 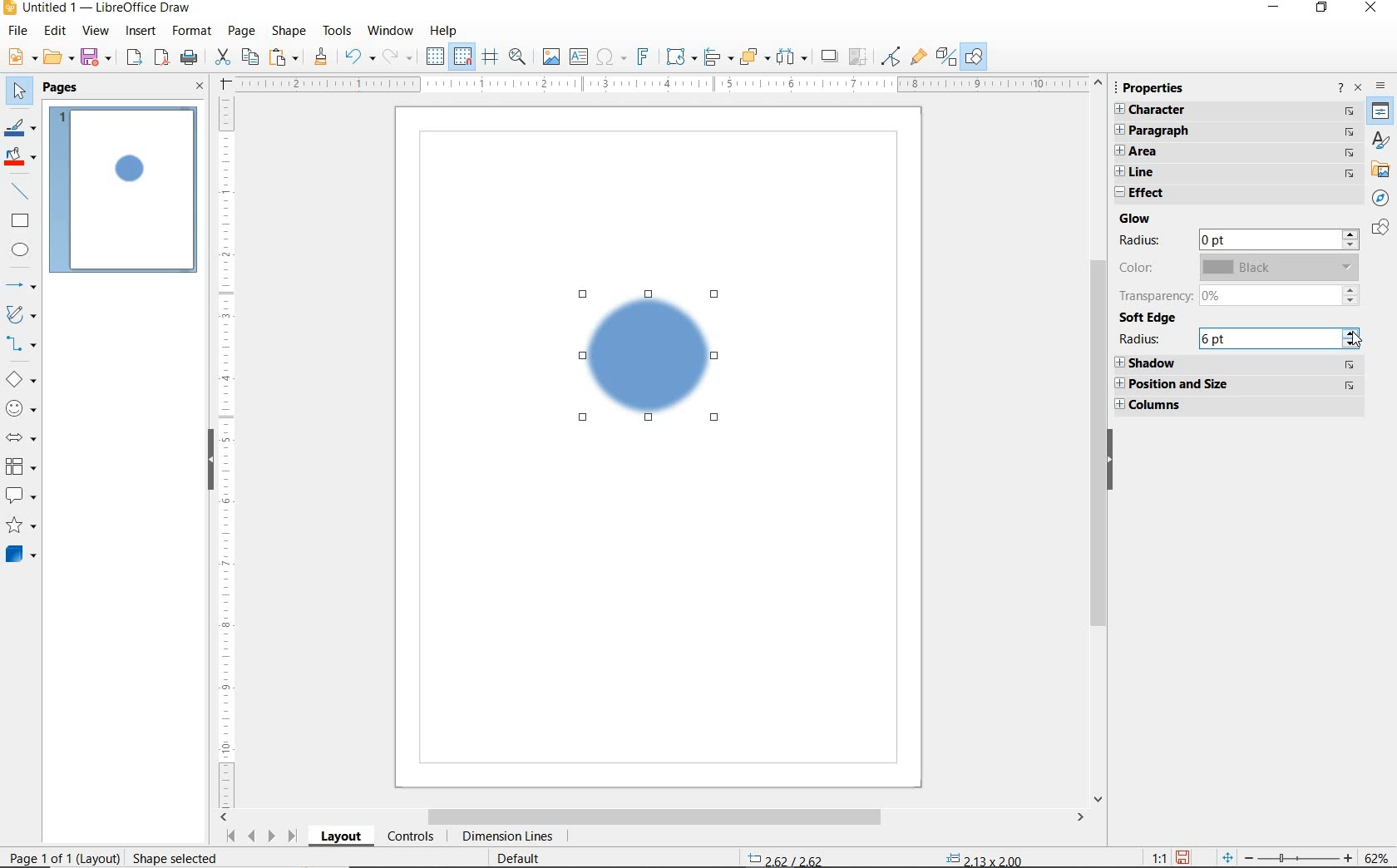 I want to click on LAYOUT, so click(x=341, y=839).